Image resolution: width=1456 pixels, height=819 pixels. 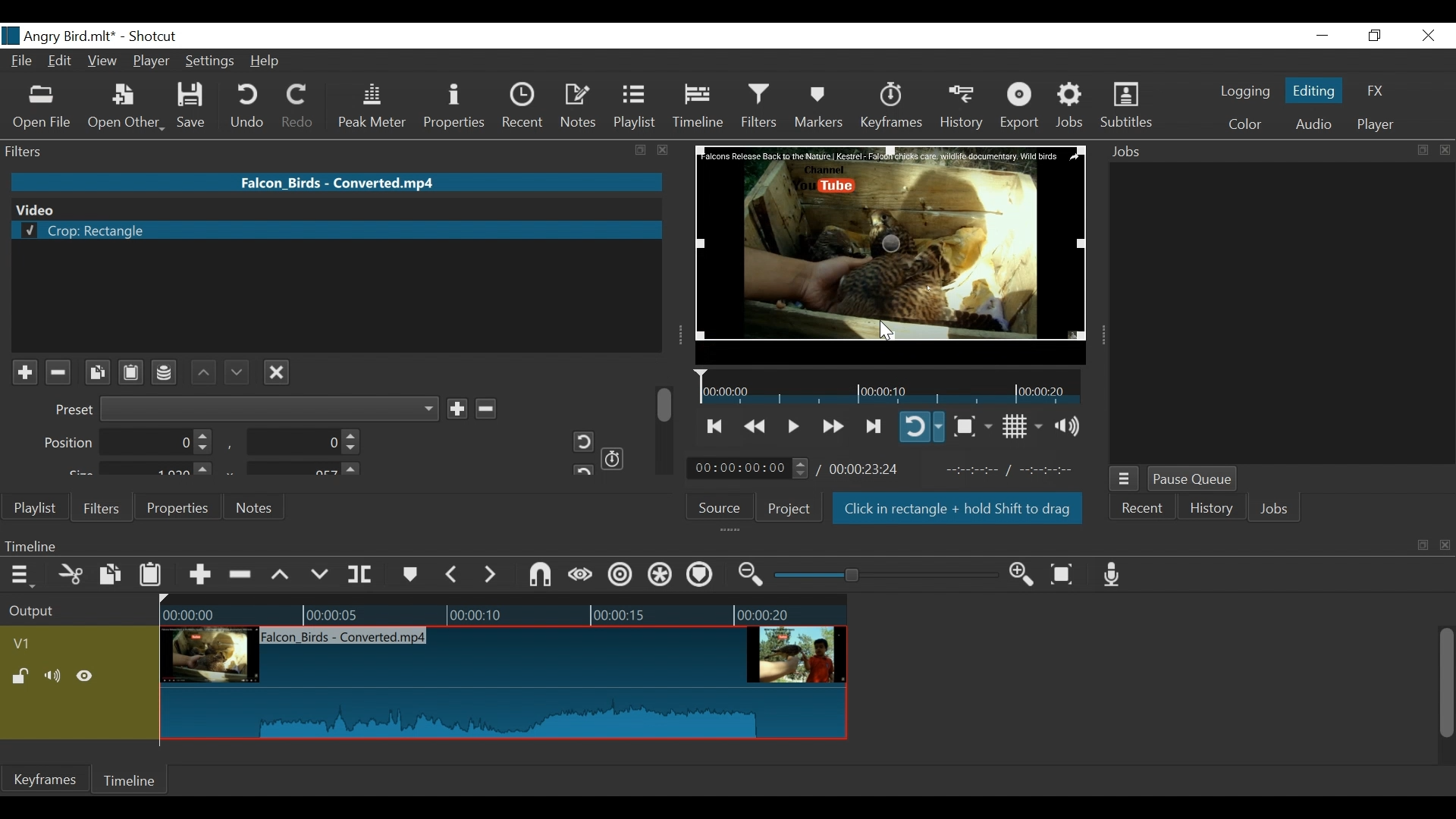 I want to click on Zoom slider, so click(x=889, y=575).